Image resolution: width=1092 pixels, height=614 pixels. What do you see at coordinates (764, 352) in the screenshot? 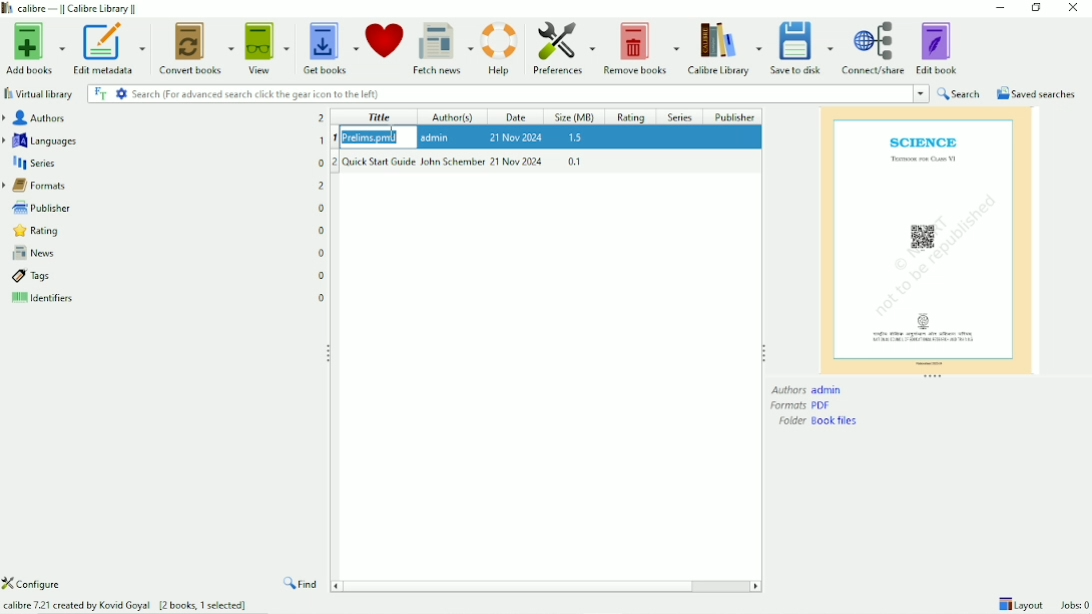
I see `Resize` at bounding box center [764, 352].